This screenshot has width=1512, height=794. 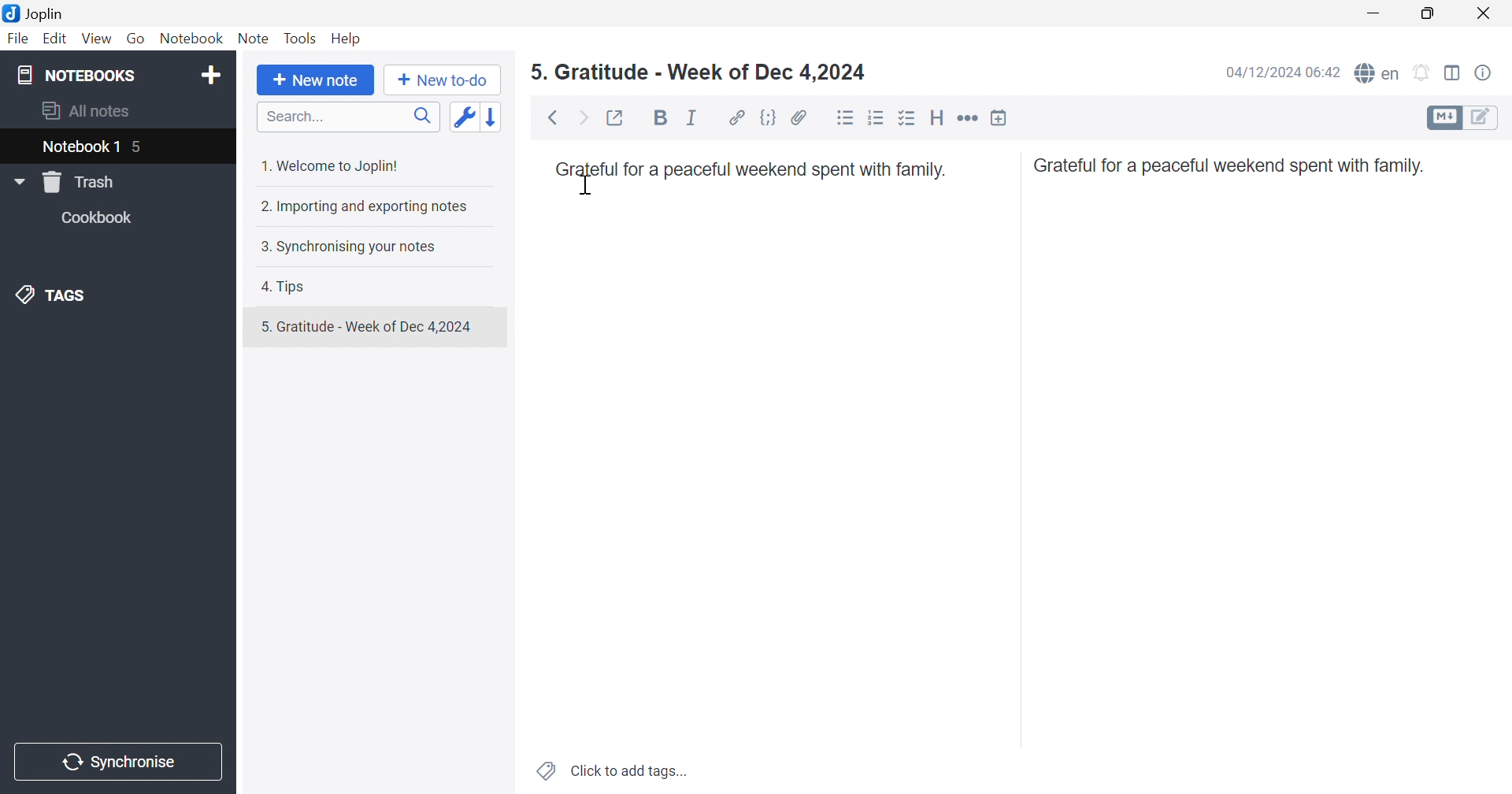 What do you see at coordinates (39, 15) in the screenshot?
I see `Joplin` at bounding box center [39, 15].